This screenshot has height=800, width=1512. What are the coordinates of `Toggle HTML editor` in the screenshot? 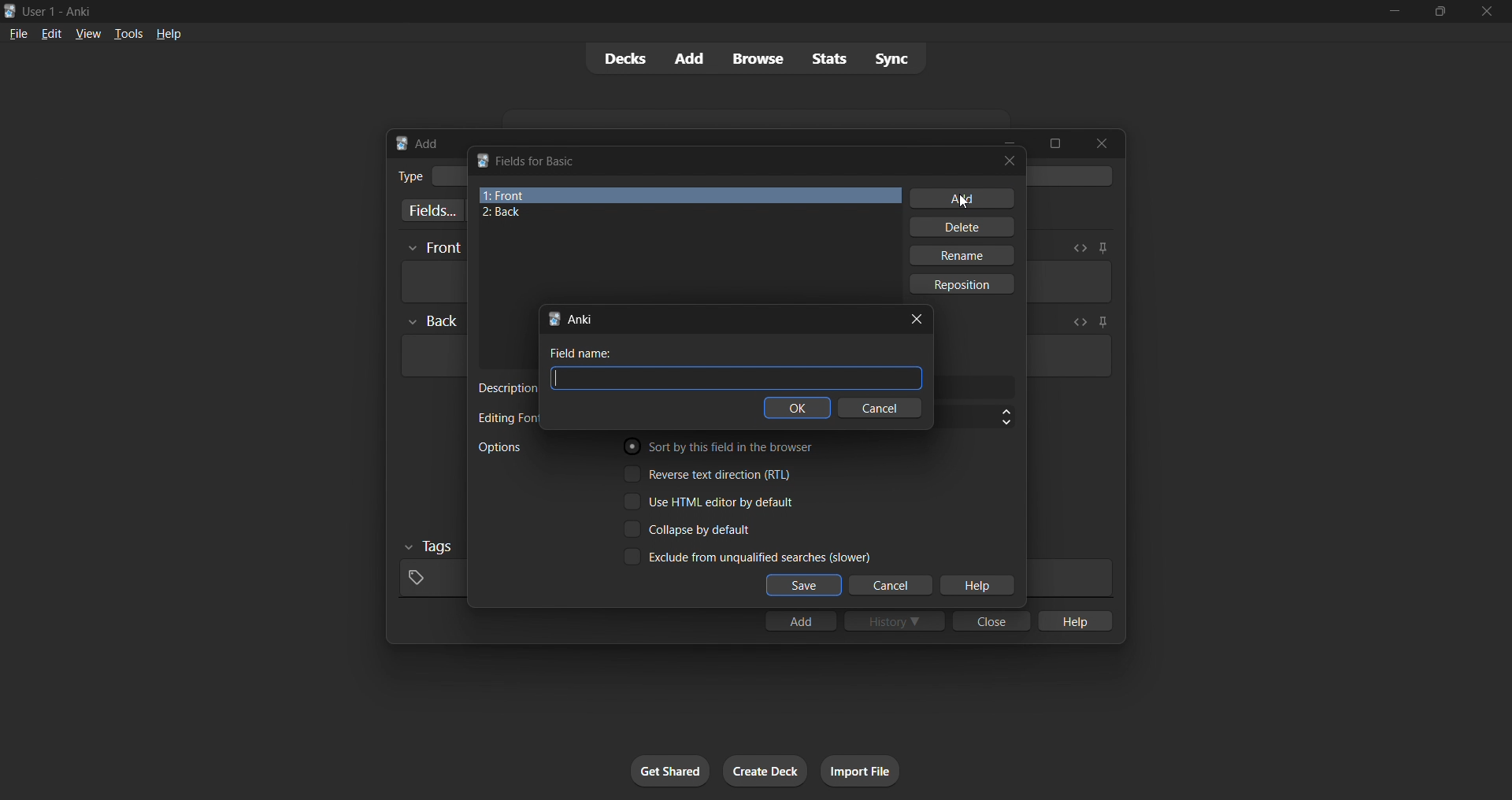 It's located at (1077, 322).